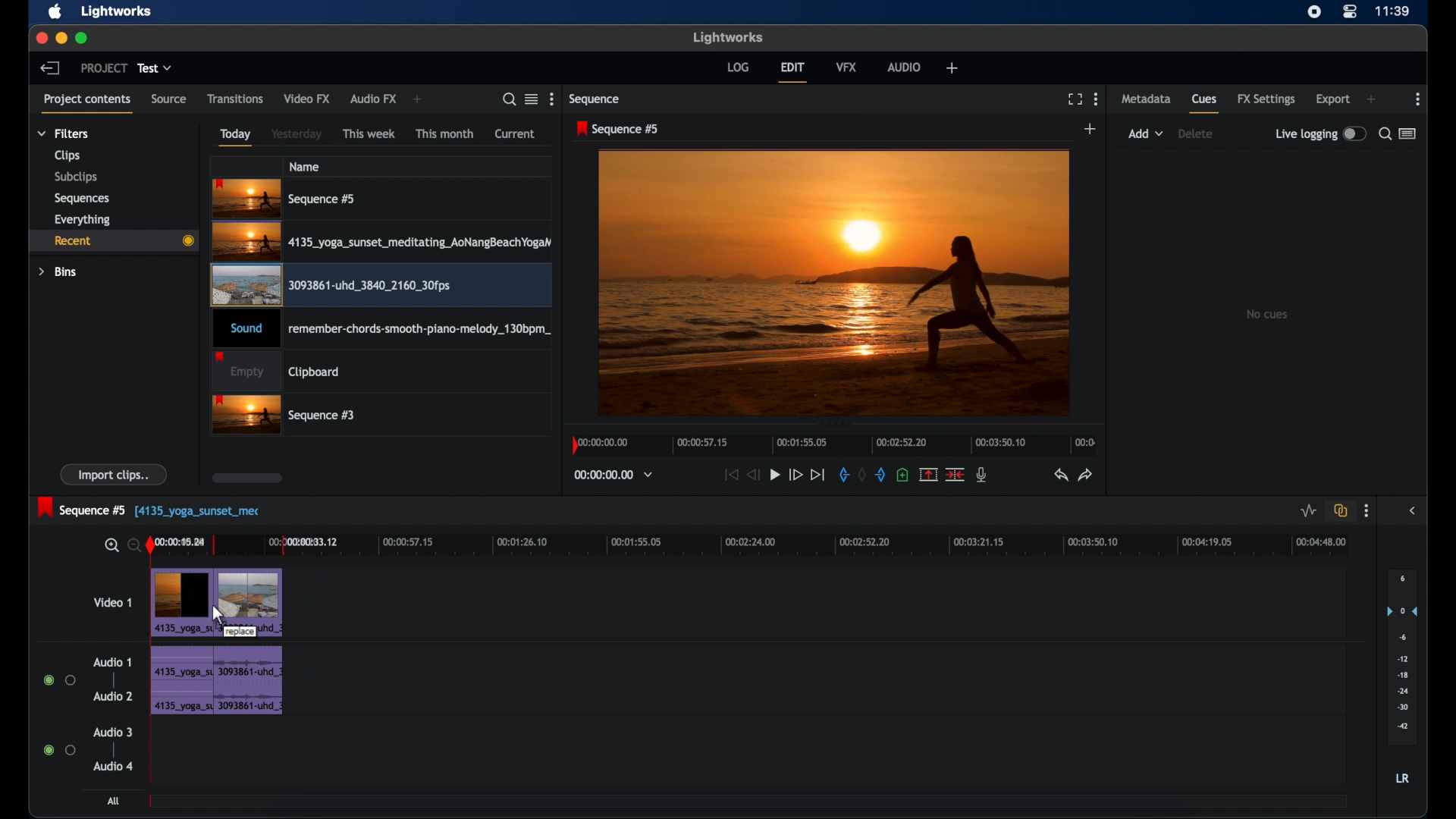 This screenshot has width=1456, height=819. I want to click on audio clip, so click(181, 682).